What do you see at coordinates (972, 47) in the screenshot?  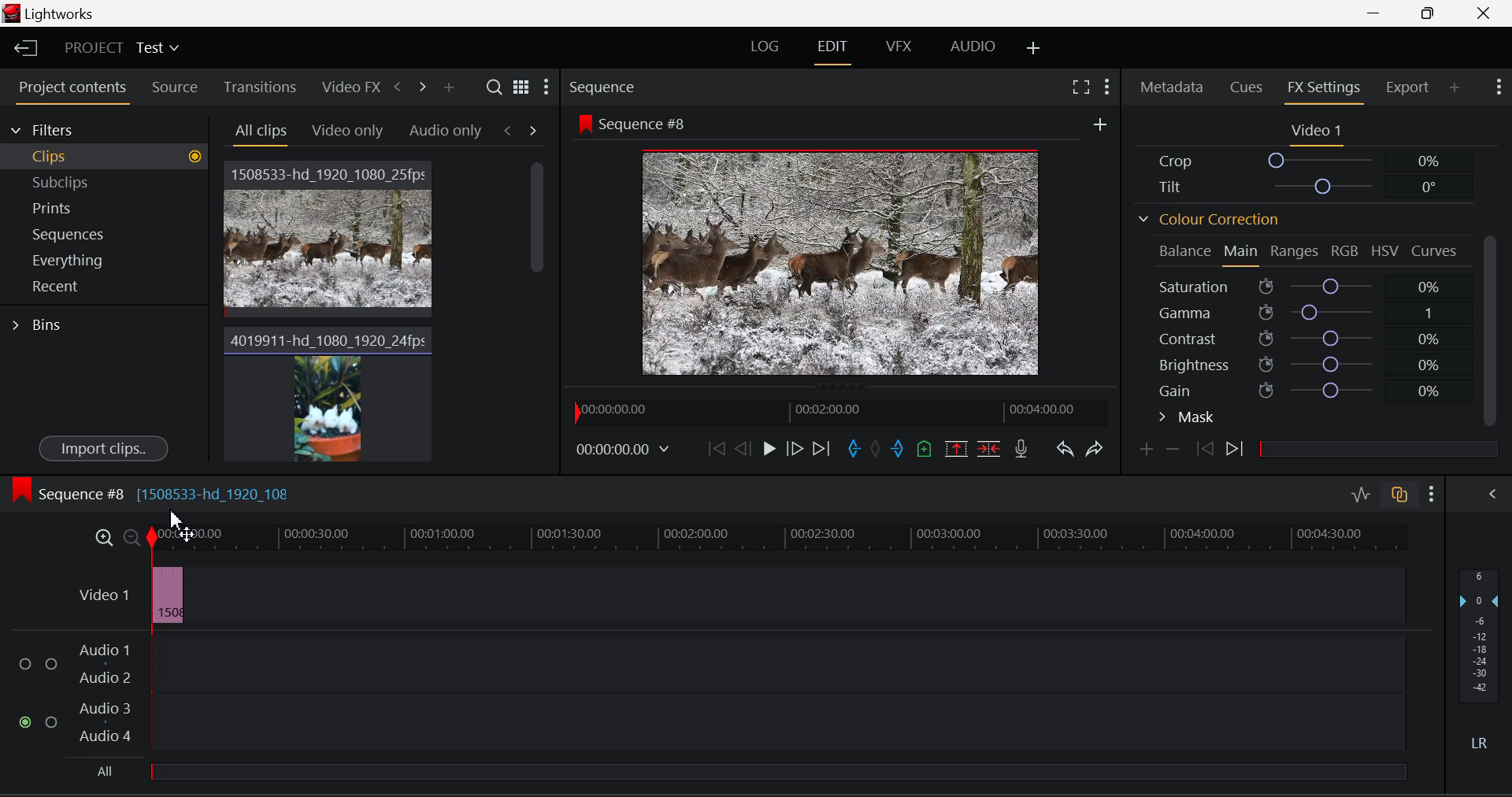 I see `AUDIO` at bounding box center [972, 47].